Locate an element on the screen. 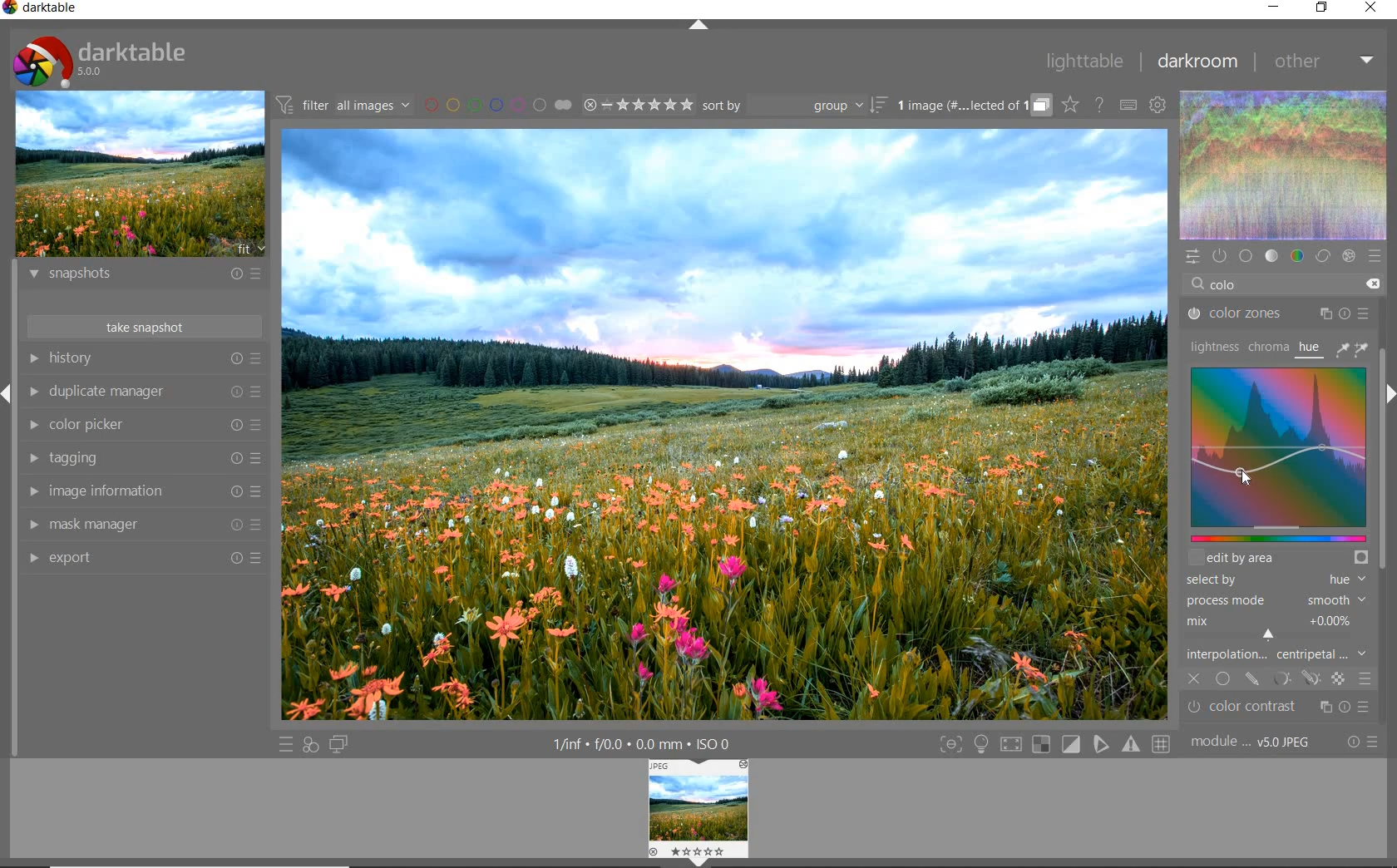 This screenshot has height=868, width=1397. blending options is located at coordinates (1365, 677).